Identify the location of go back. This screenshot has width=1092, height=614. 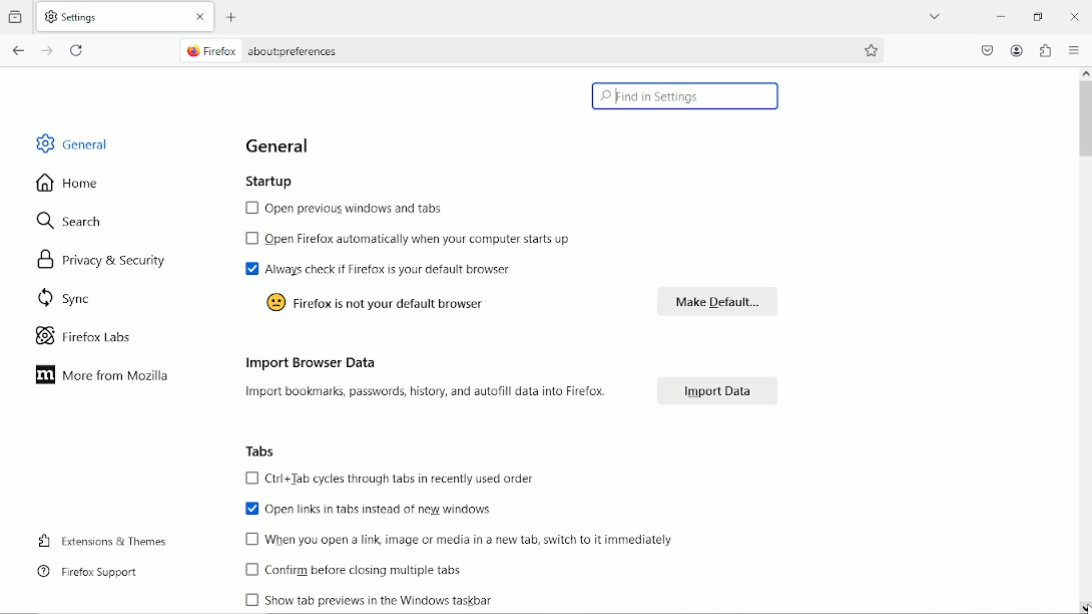
(20, 49).